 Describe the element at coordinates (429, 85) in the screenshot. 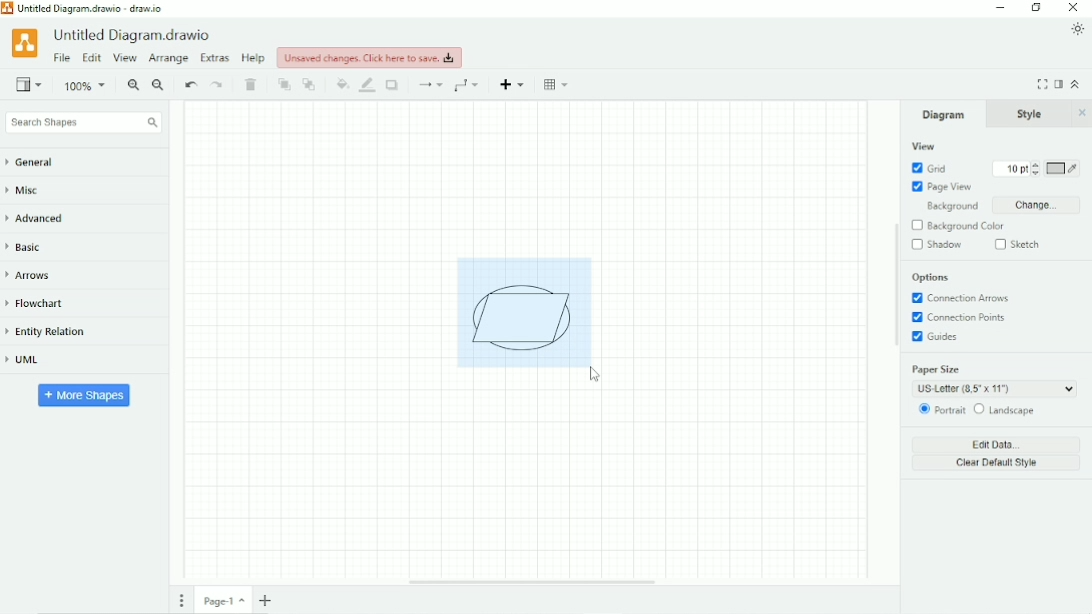

I see `Connection` at that location.